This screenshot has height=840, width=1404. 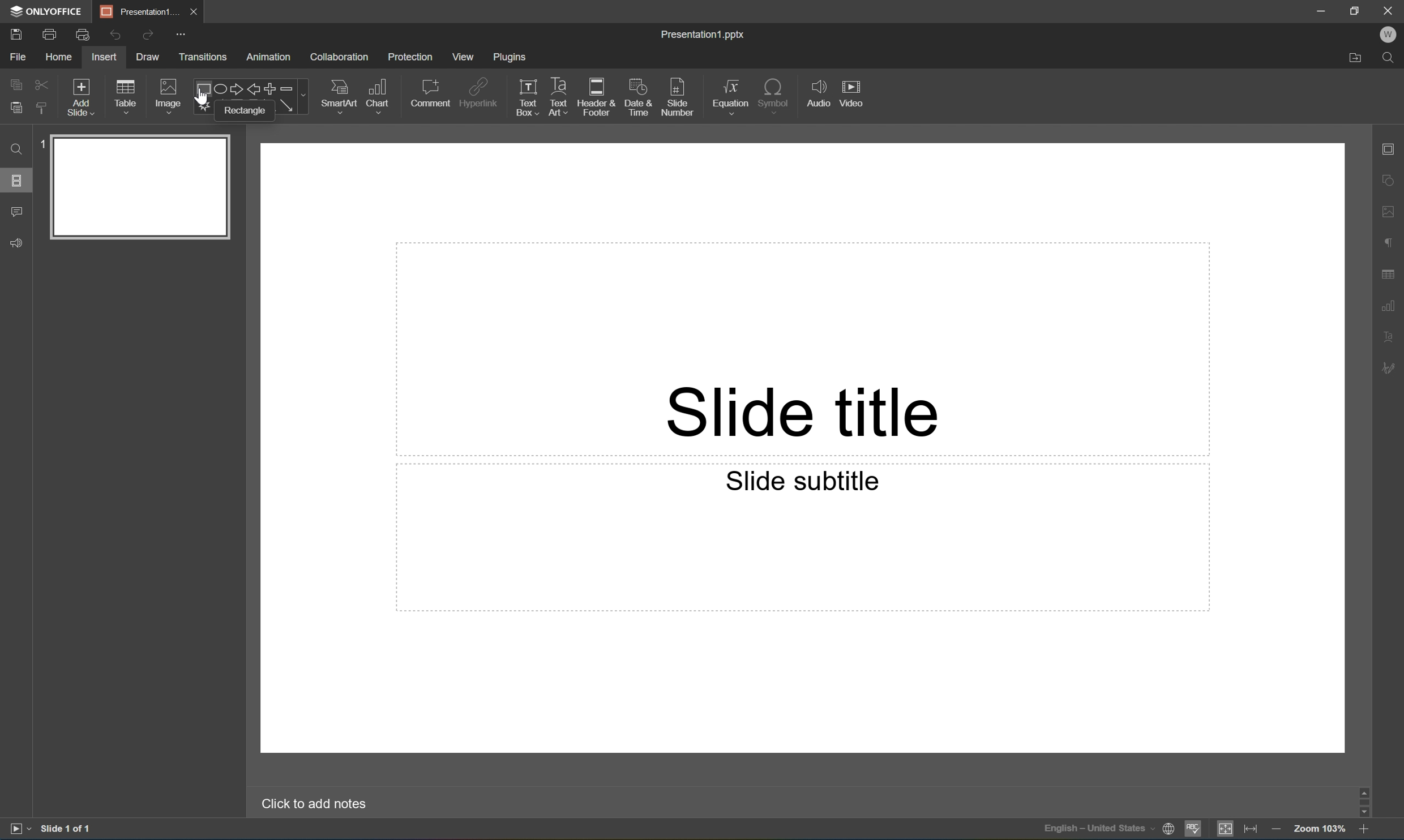 I want to click on Date & Time, so click(x=637, y=96).